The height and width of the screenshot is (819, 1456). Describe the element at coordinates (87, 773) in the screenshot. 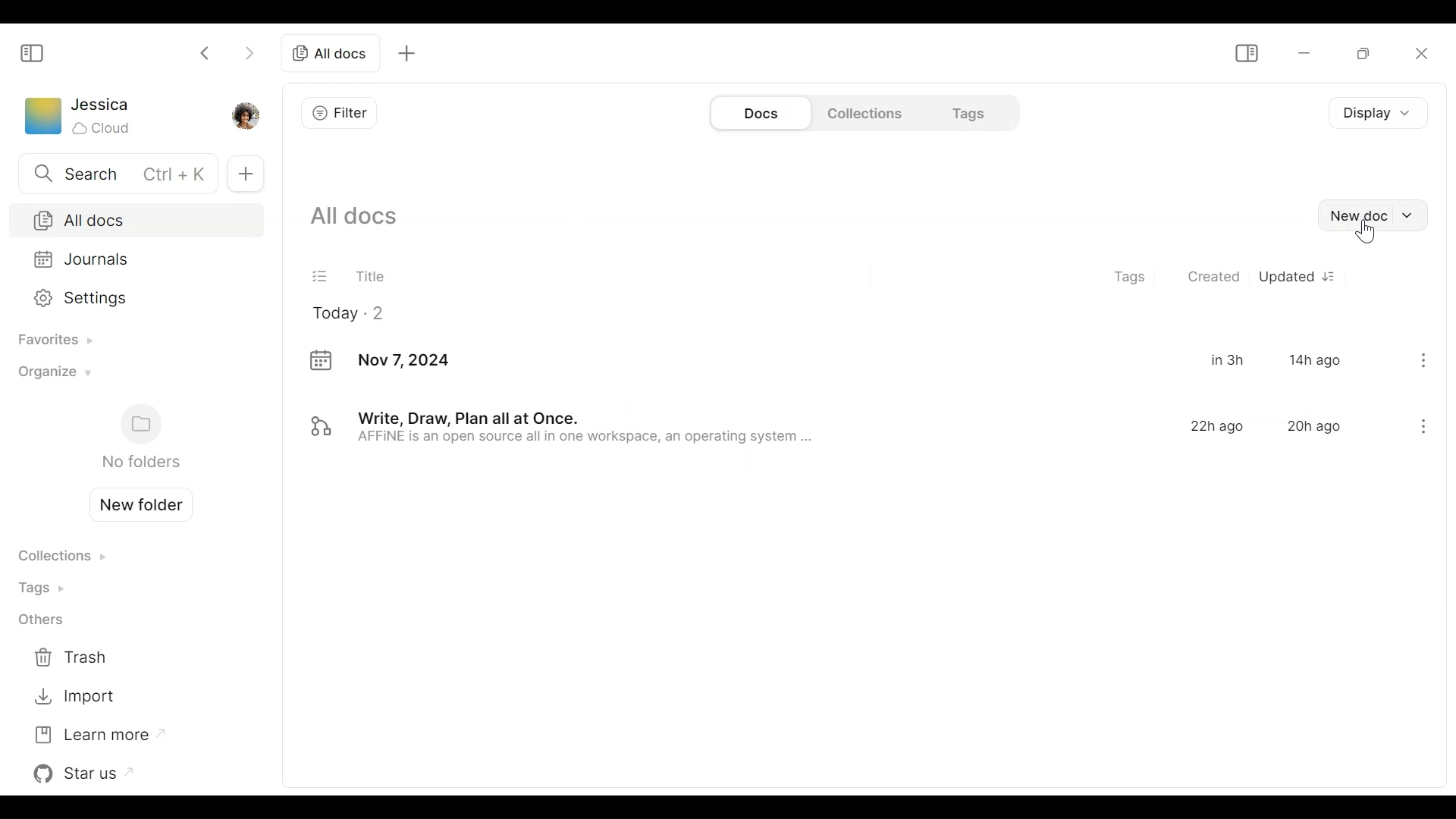

I see `Star us` at that location.